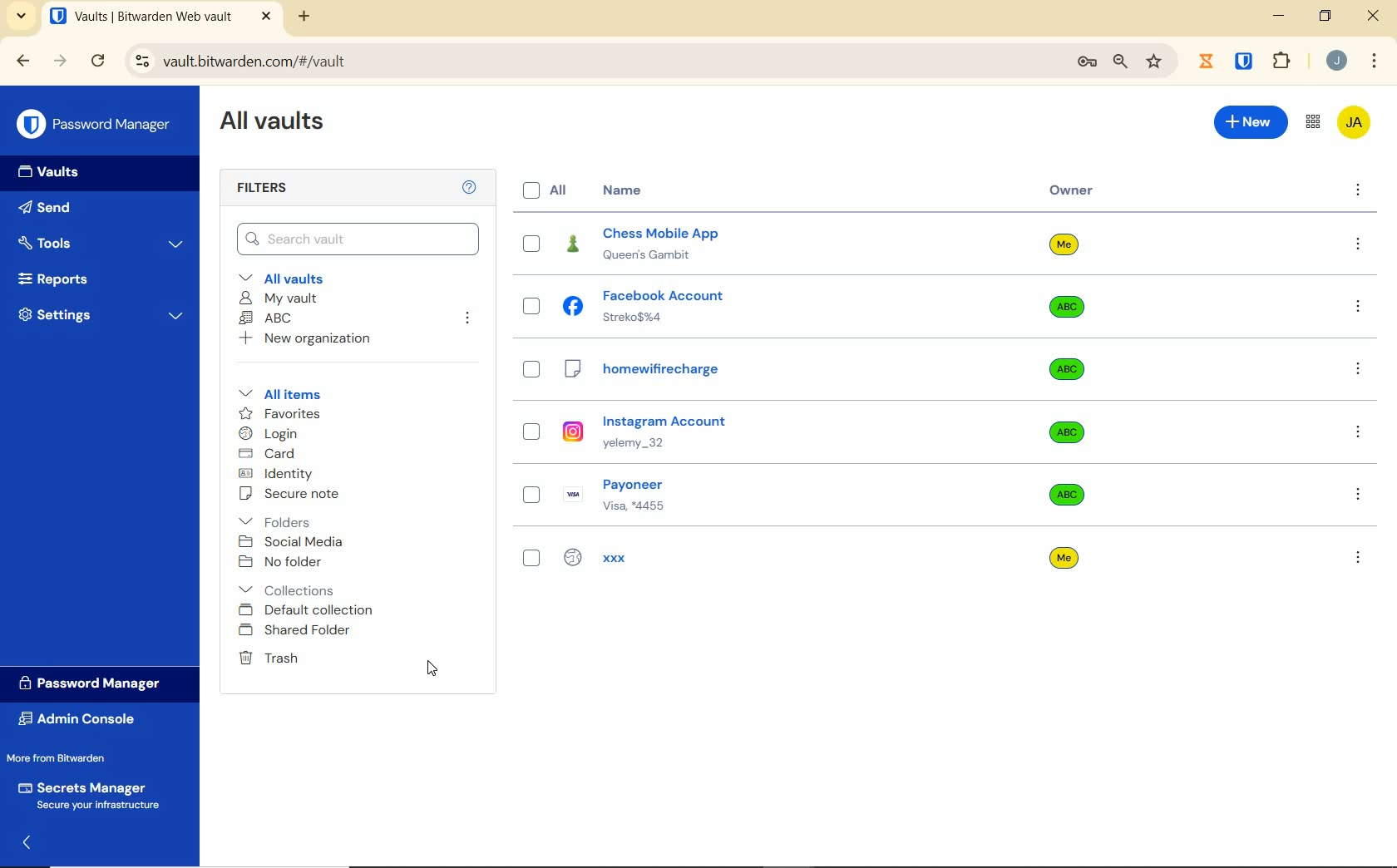 The width and height of the screenshot is (1397, 868). Describe the element at coordinates (270, 456) in the screenshot. I see `card` at that location.